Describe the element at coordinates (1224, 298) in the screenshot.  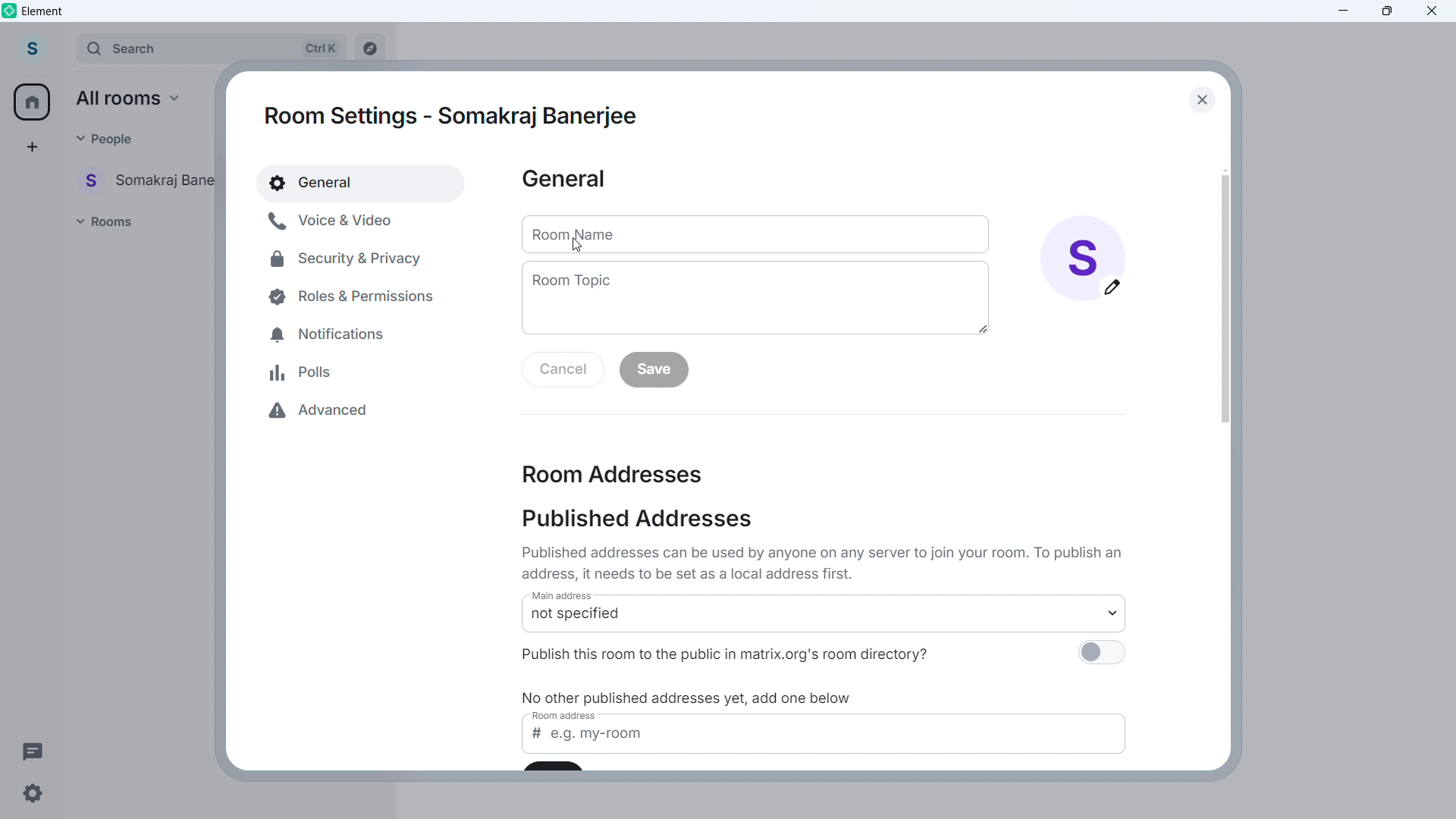
I see `Scroll bar ` at that location.